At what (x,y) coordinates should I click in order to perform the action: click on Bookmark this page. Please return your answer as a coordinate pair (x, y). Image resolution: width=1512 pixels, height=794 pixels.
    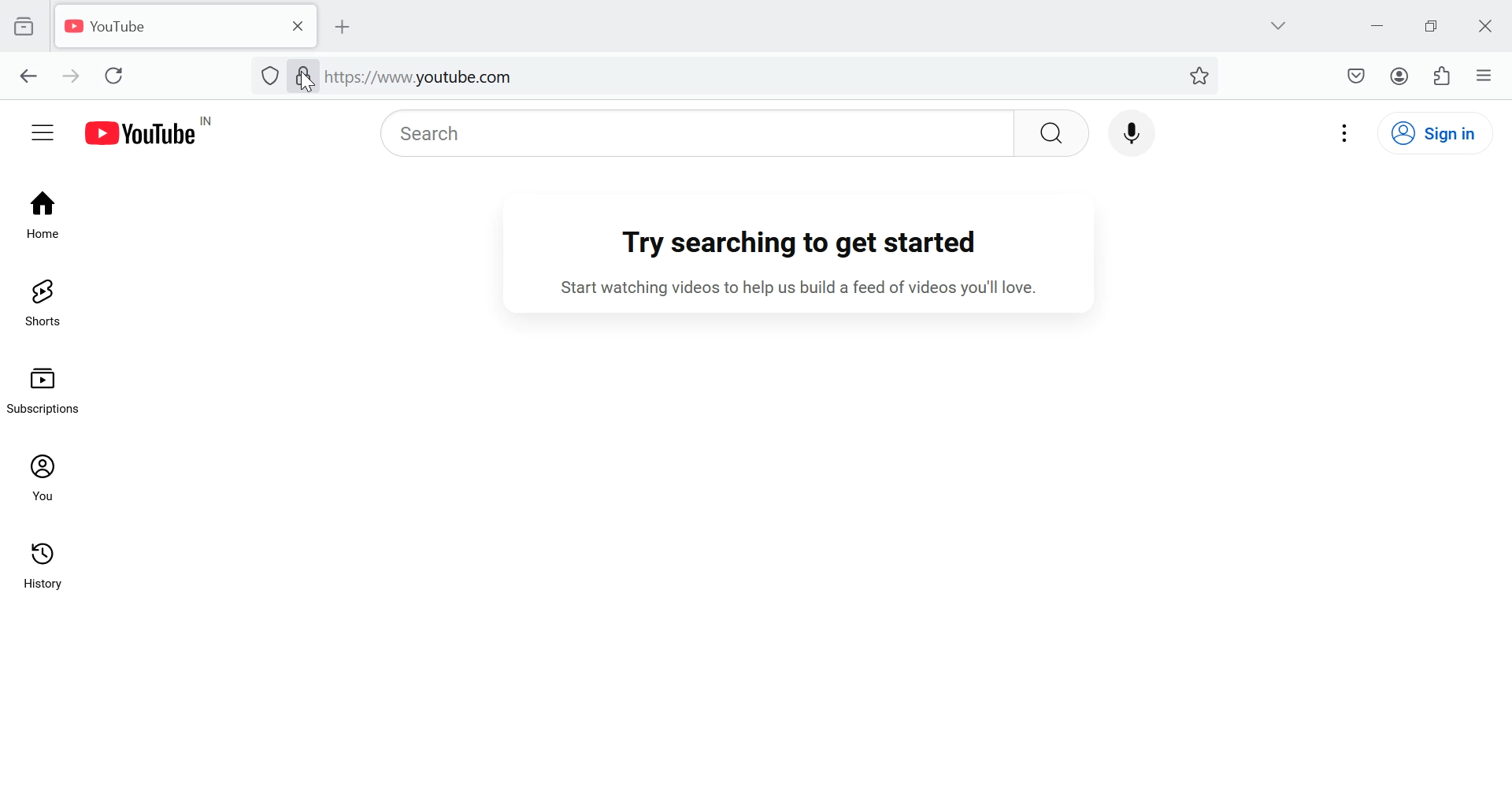
    Looking at the image, I should click on (1201, 74).